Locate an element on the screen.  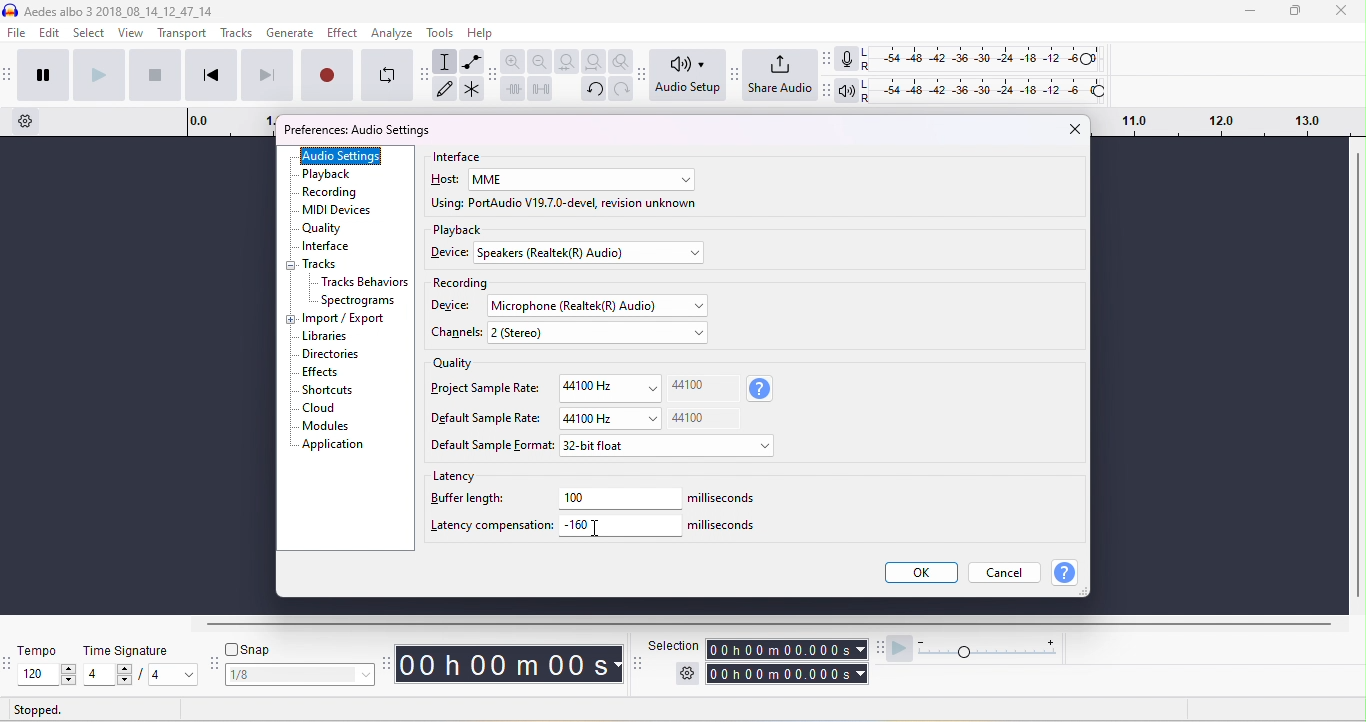
milliseconds is located at coordinates (724, 524).